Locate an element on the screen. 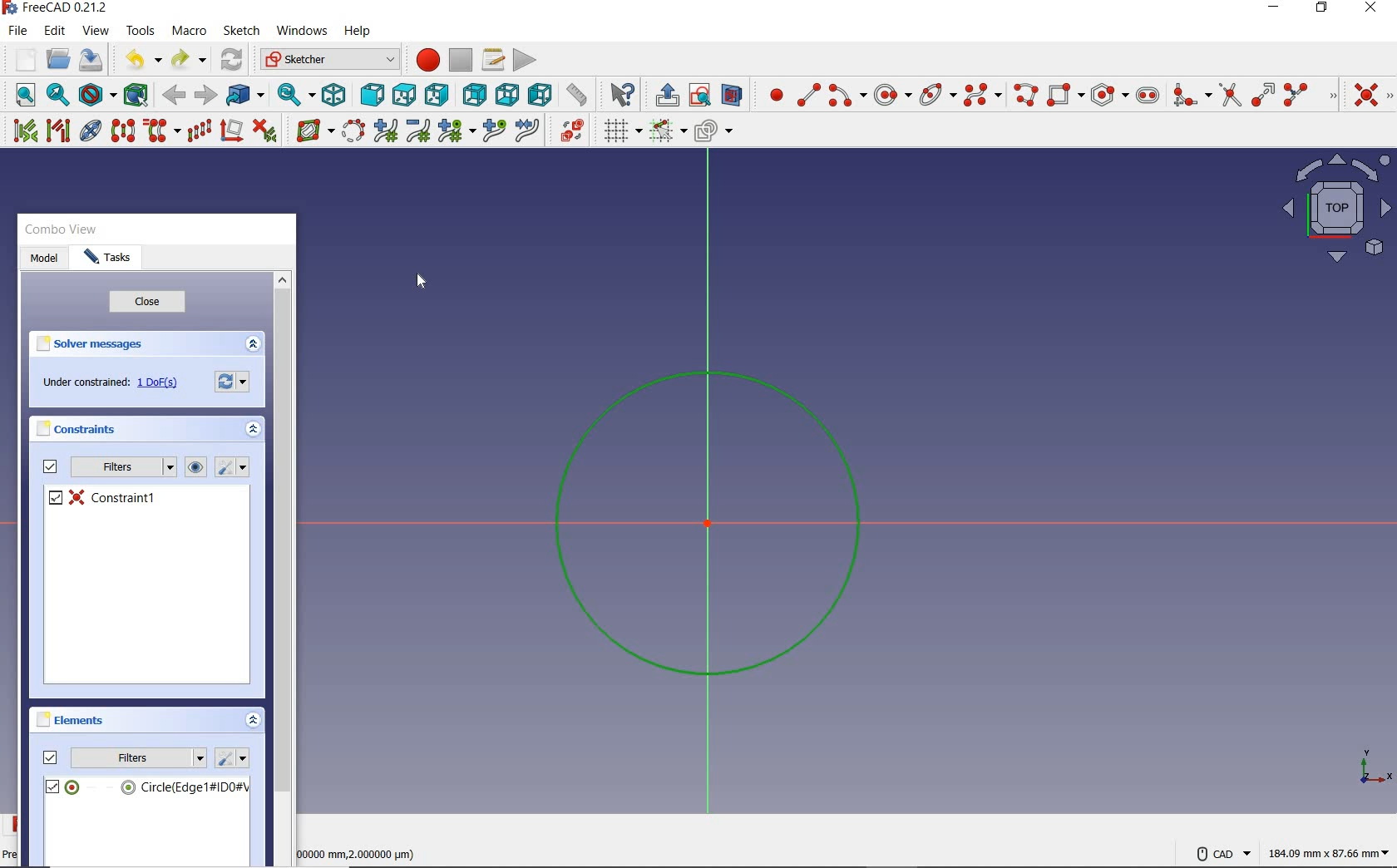 The image size is (1397, 868). cursor is located at coordinates (422, 284).